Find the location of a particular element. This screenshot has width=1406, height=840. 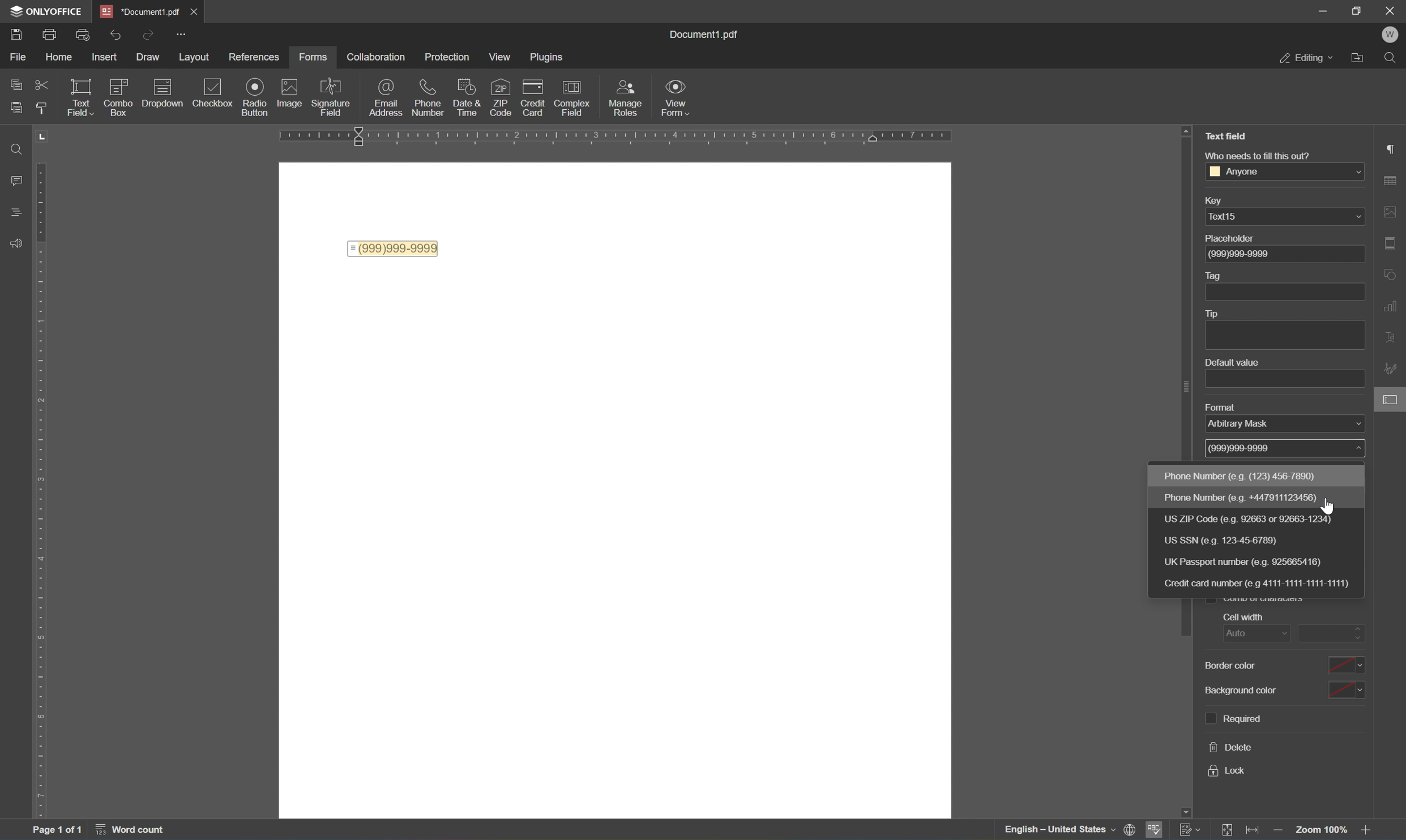

insert phone number is located at coordinates (498, 114).